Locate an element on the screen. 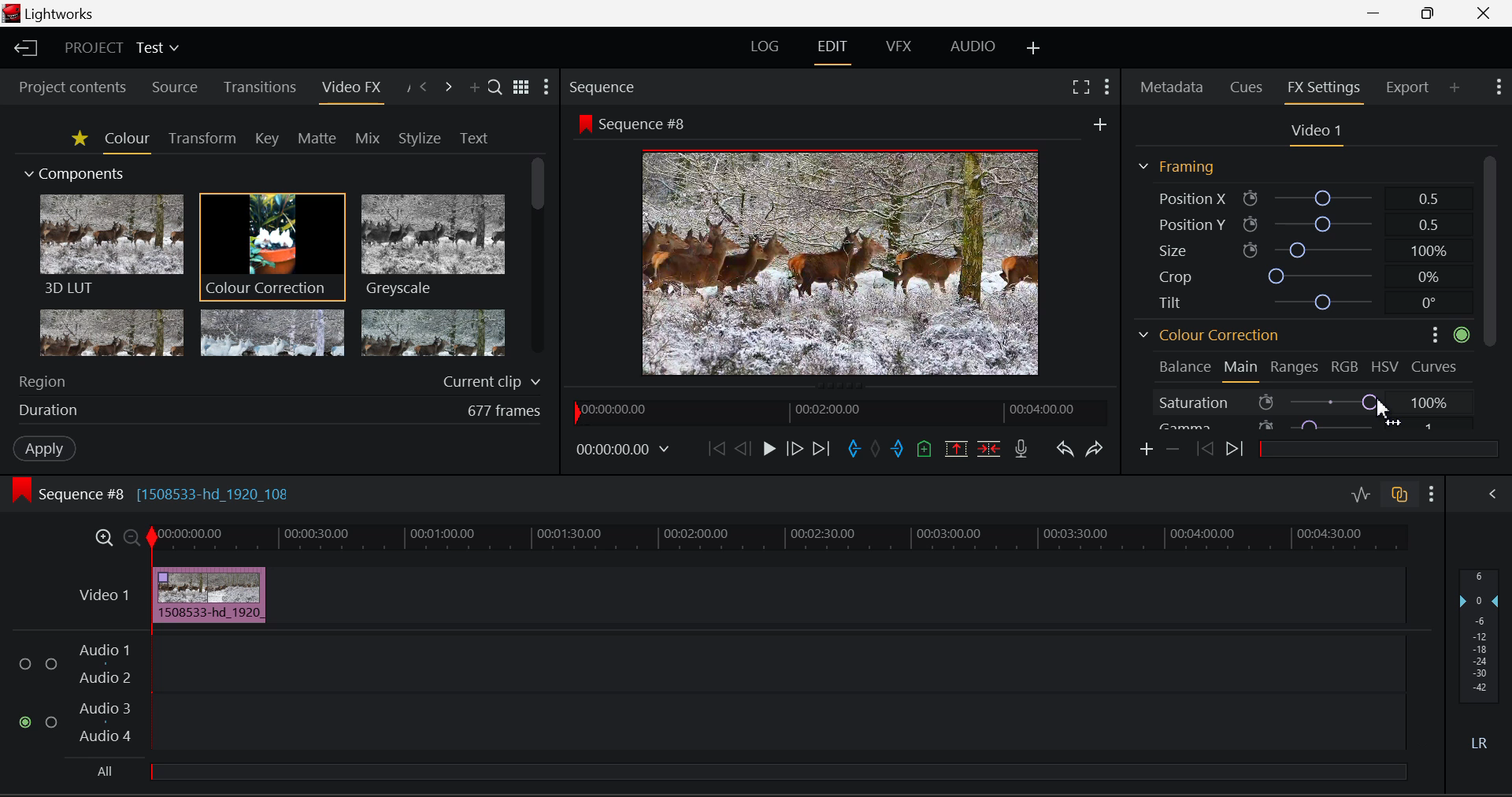 The height and width of the screenshot is (797, 1512). Remove keyframe is located at coordinates (1171, 451).